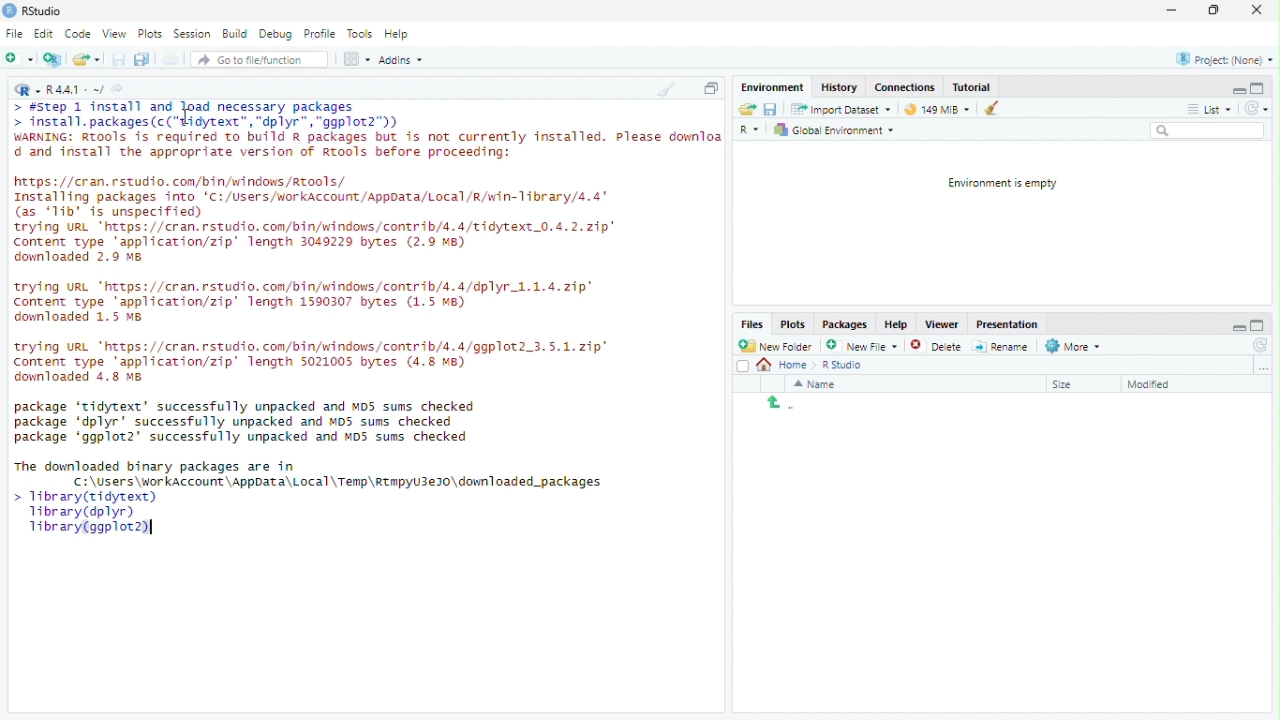 This screenshot has width=1280, height=720. Describe the element at coordinates (934, 107) in the screenshot. I see `149 MiB` at that location.